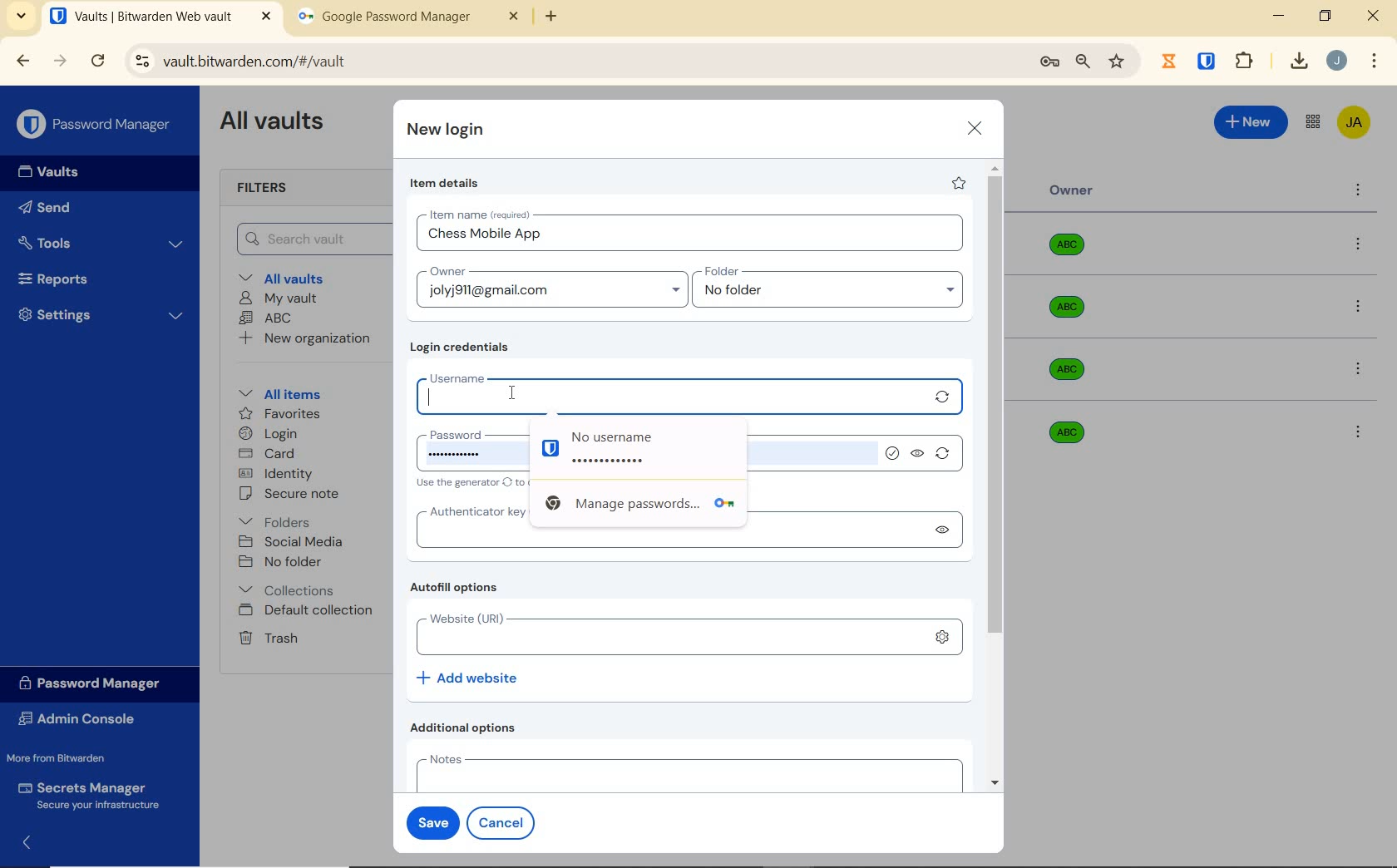 This screenshot has height=868, width=1397. Describe the element at coordinates (1336, 61) in the screenshot. I see `Account` at that location.